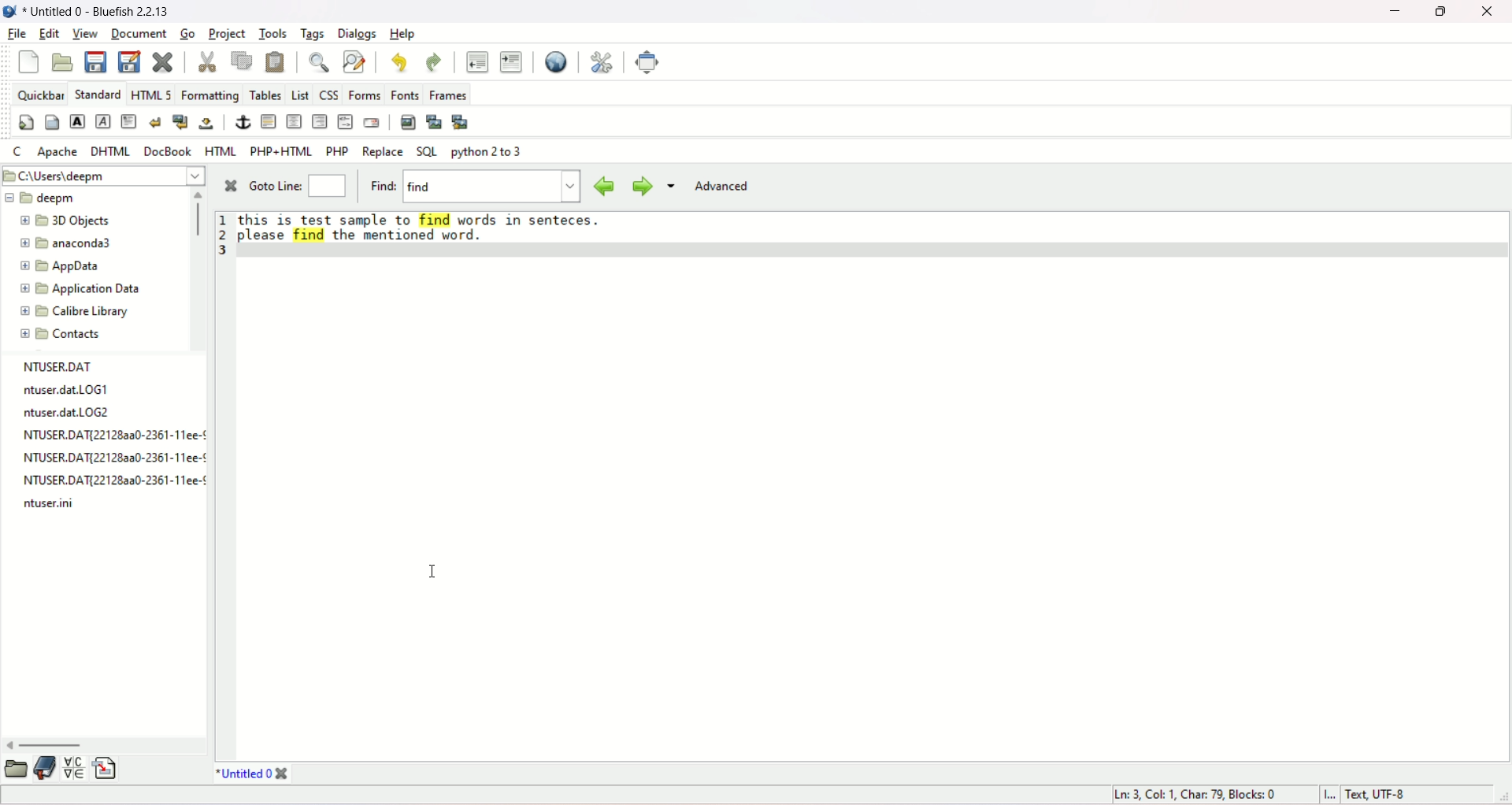 Image resolution: width=1512 pixels, height=805 pixels. I want to click on more options, so click(670, 187).